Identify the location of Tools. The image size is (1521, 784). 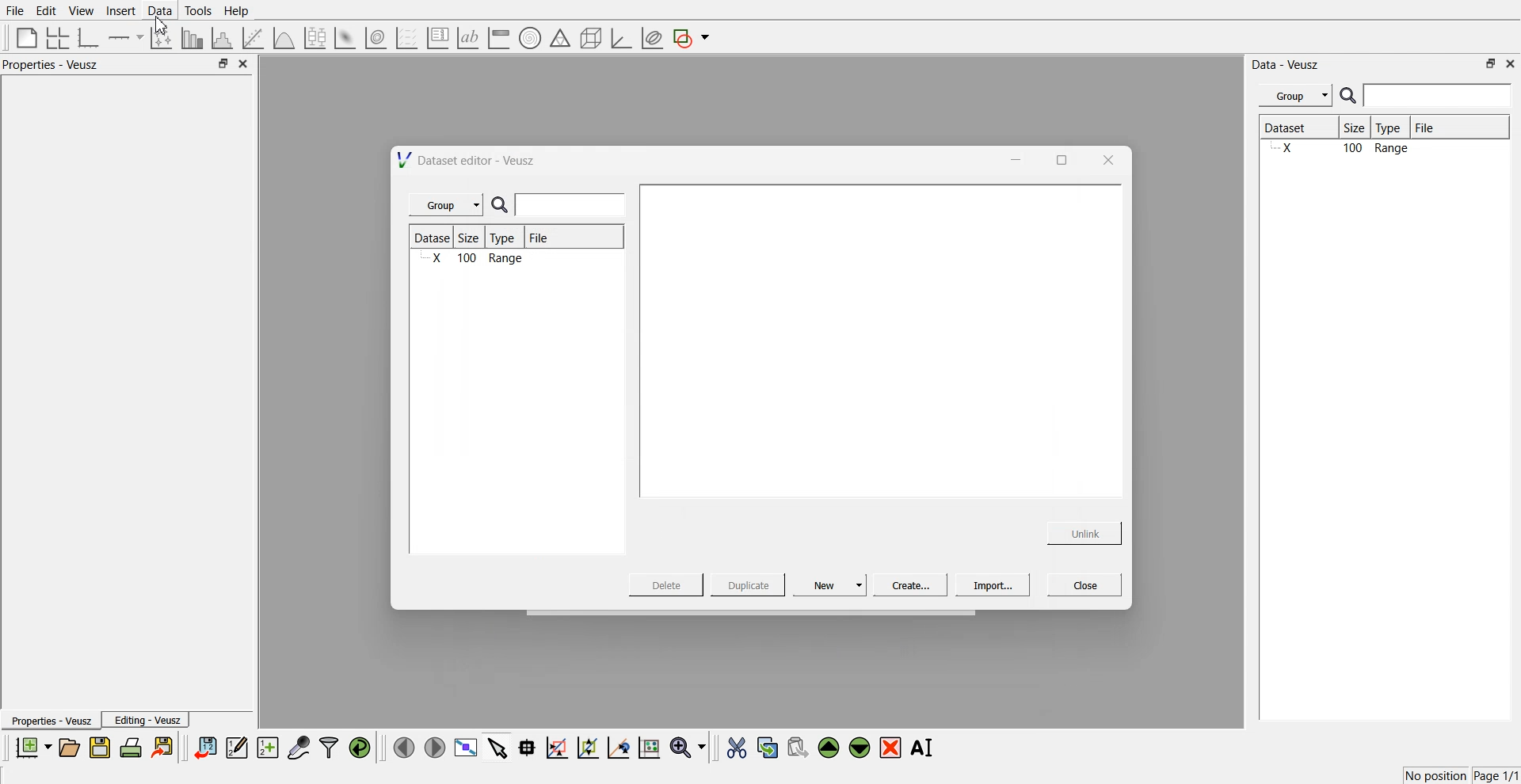
(196, 10).